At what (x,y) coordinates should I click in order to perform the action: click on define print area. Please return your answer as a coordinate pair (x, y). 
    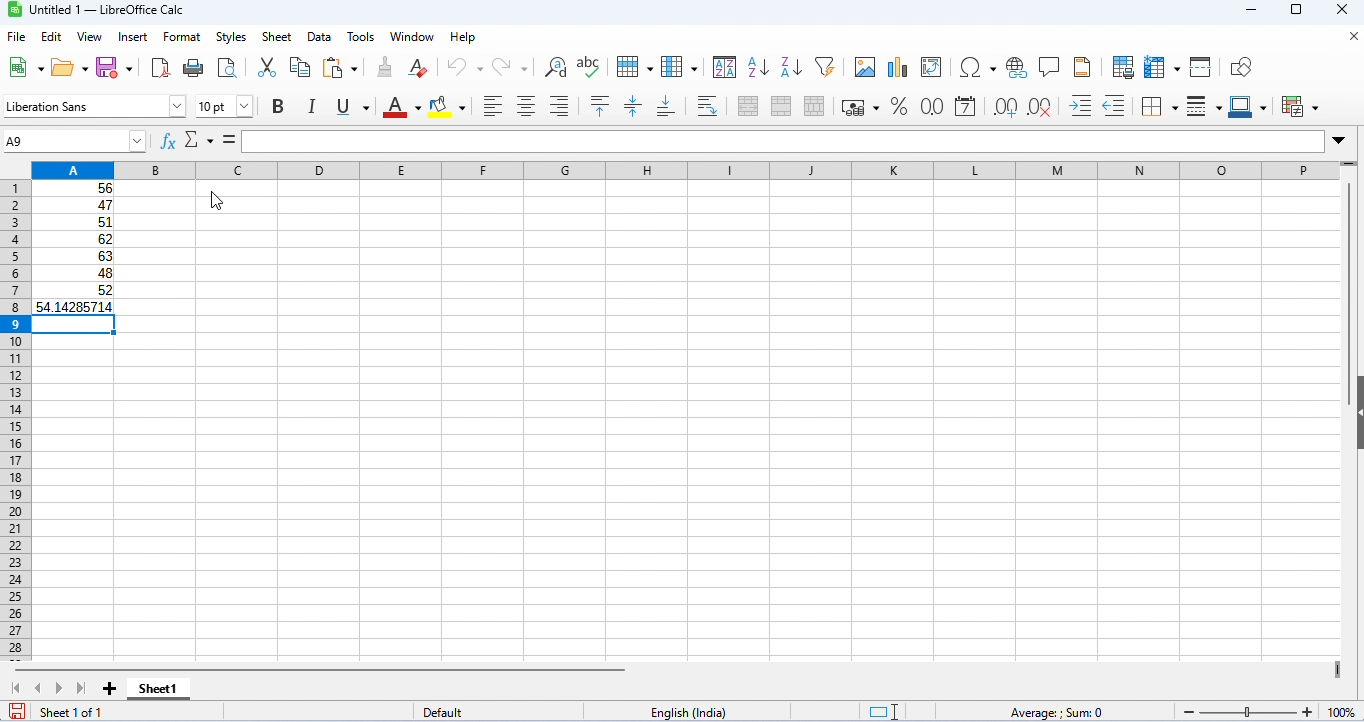
    Looking at the image, I should click on (1123, 67).